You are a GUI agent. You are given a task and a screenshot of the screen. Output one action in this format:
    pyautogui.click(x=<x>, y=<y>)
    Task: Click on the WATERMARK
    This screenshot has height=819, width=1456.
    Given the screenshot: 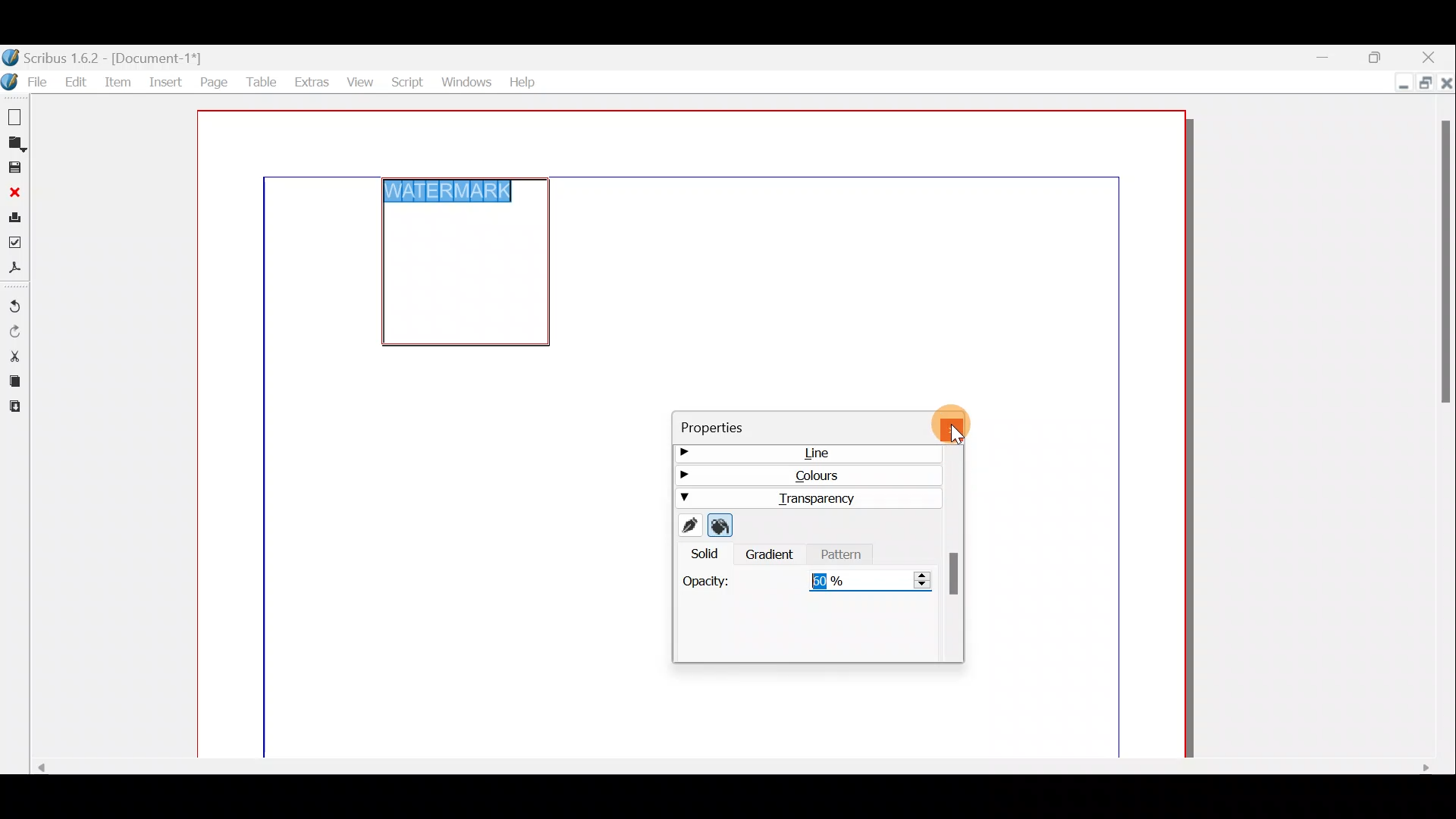 What is the action you would take?
    pyautogui.click(x=447, y=190)
    